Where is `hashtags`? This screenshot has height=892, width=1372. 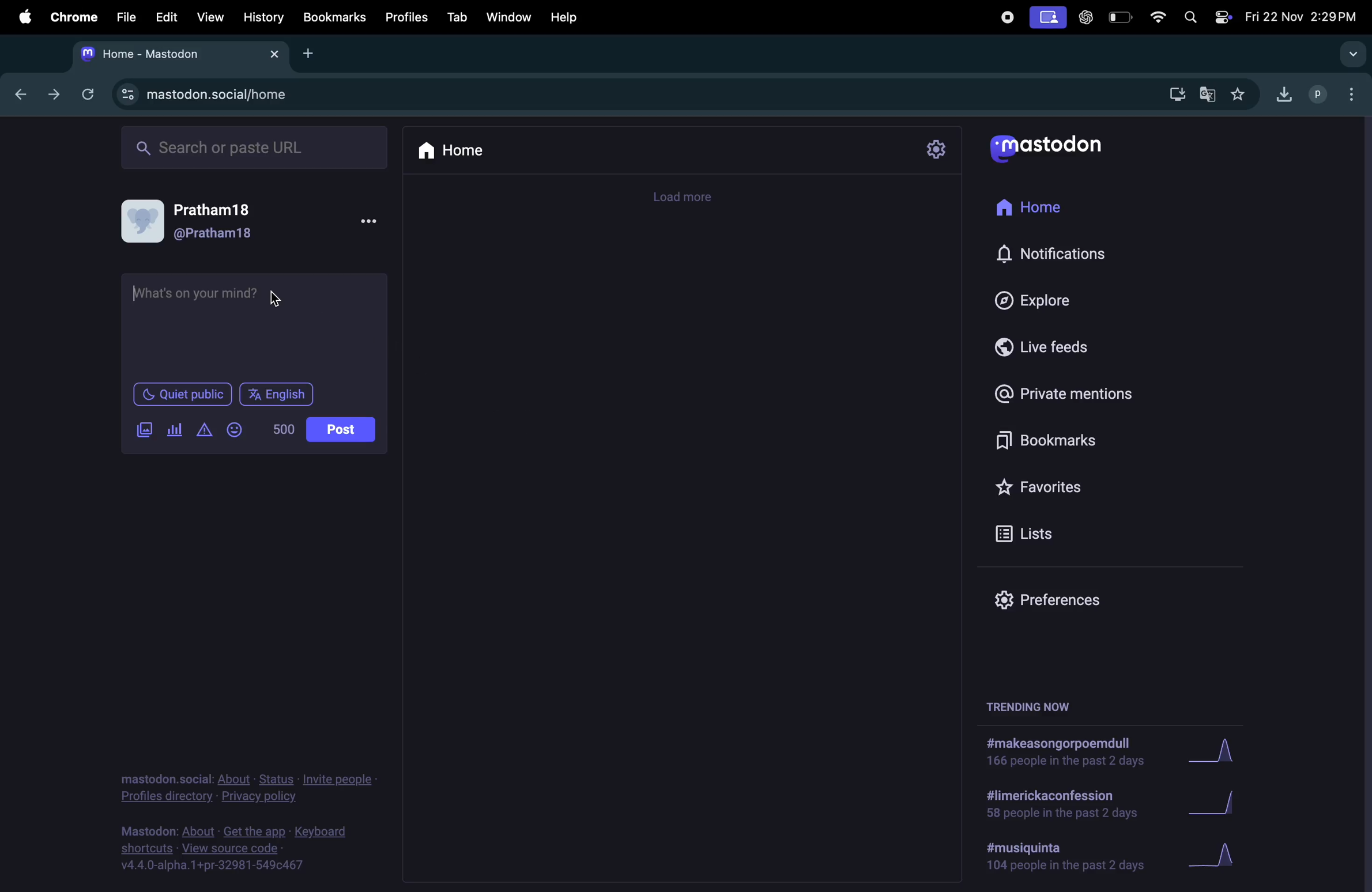
hashtags is located at coordinates (1068, 860).